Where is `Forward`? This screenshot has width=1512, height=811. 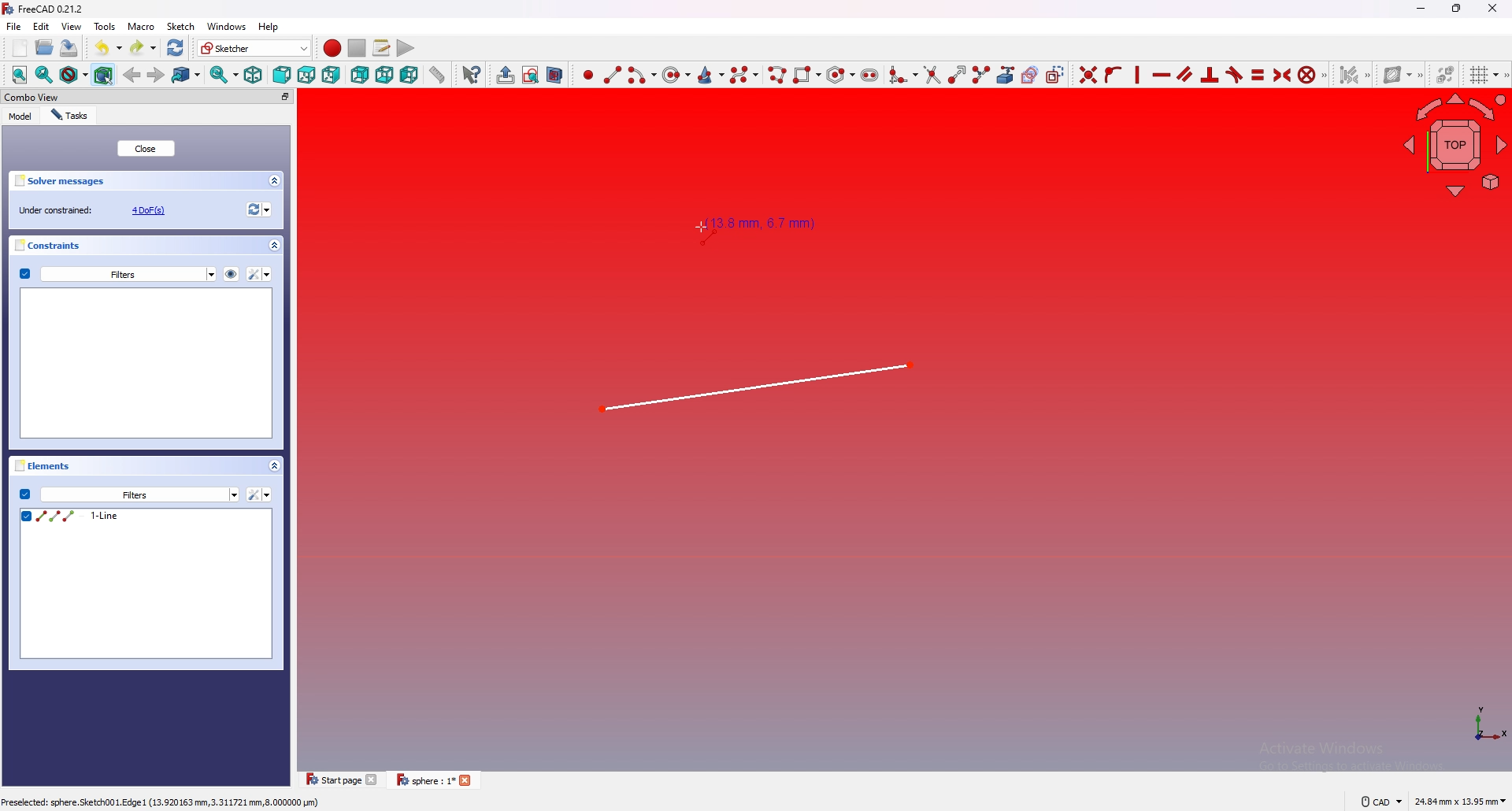
Forward is located at coordinates (156, 74).